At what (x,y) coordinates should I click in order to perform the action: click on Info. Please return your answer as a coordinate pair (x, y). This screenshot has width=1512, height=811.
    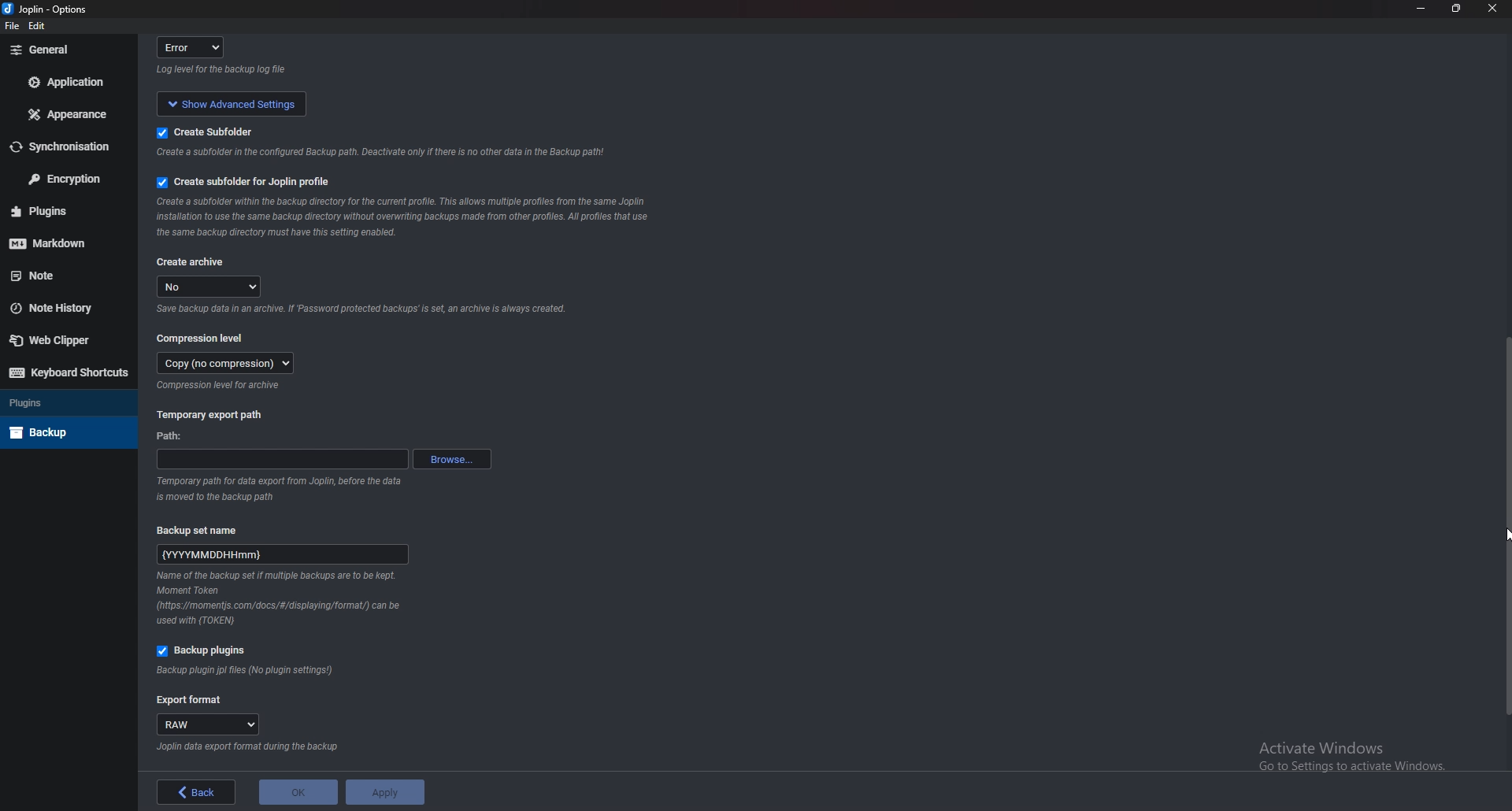
    Looking at the image, I should click on (246, 671).